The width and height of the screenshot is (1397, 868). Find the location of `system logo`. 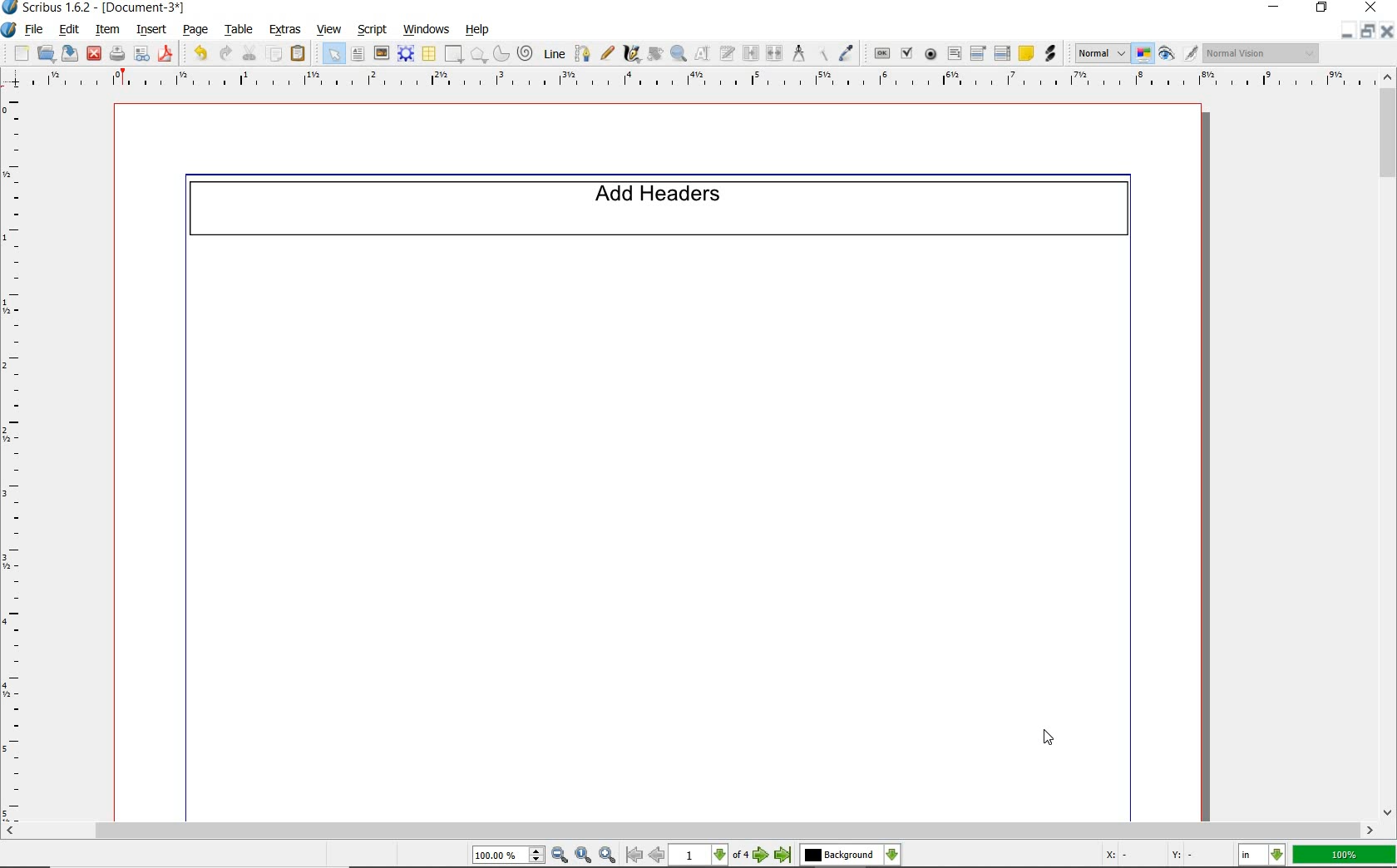

system logo is located at coordinates (9, 31).